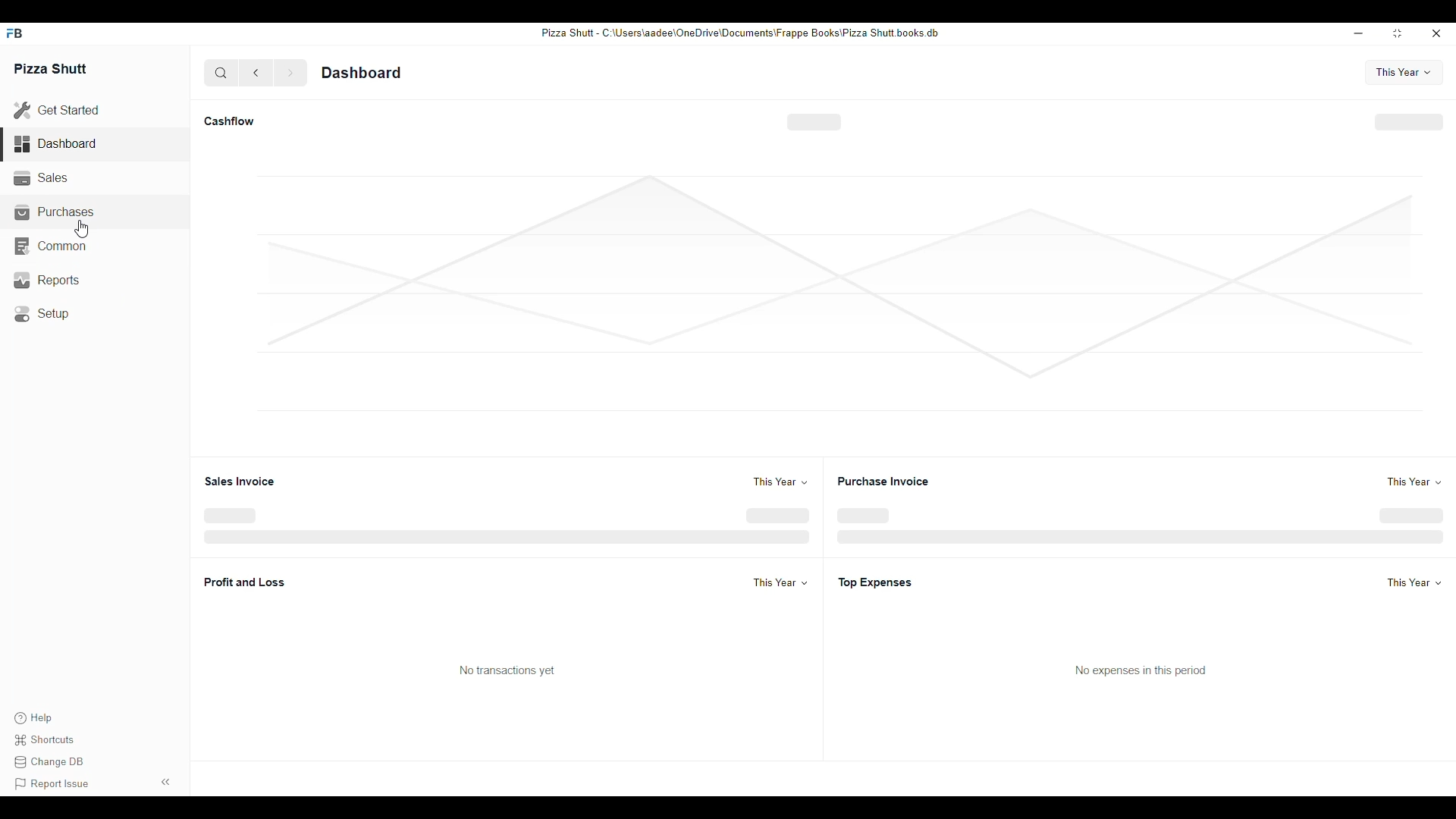  Describe the element at coordinates (52, 67) in the screenshot. I see `Pizza Shutt` at that location.